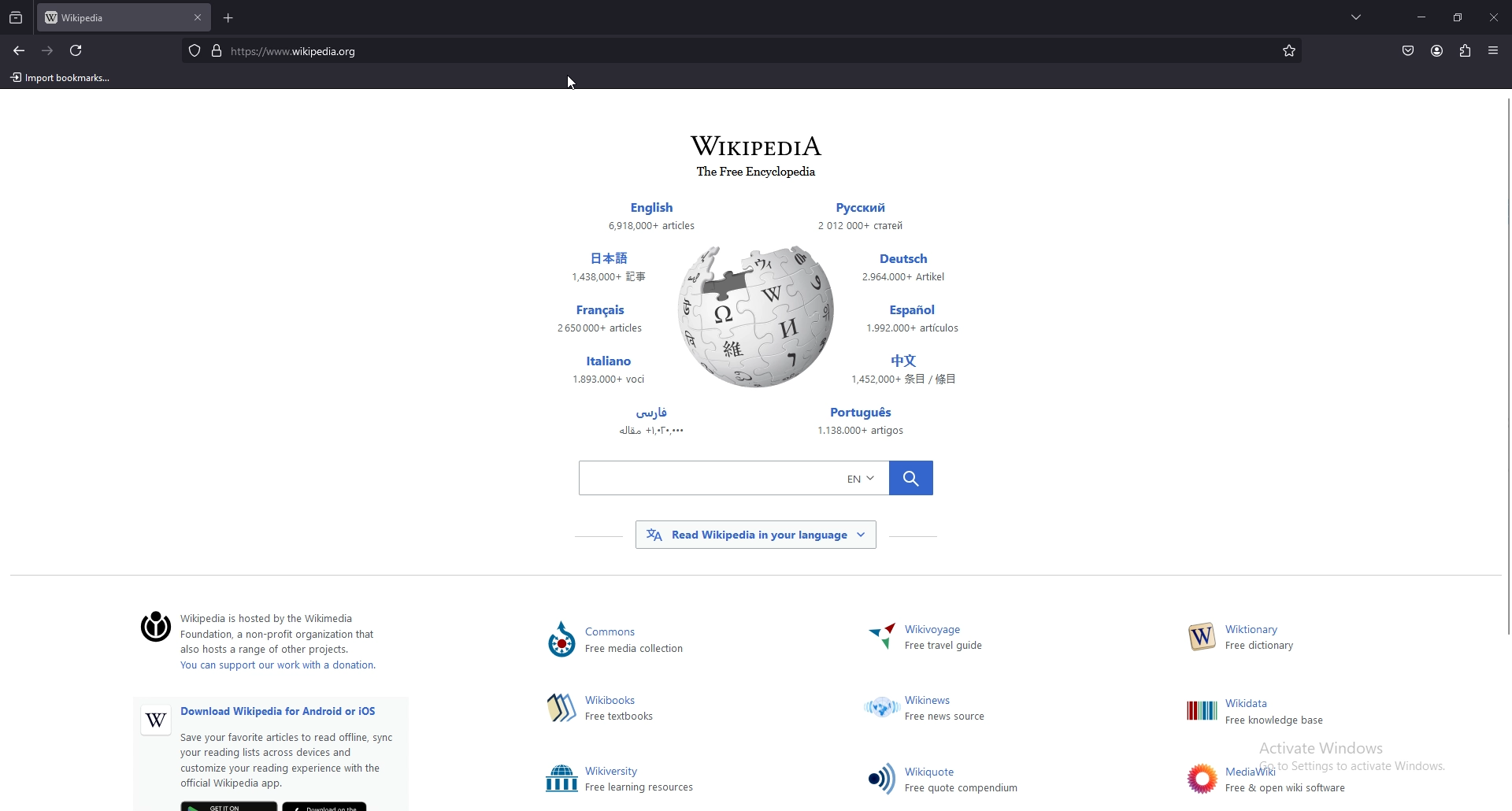 This screenshot has height=811, width=1512. Describe the element at coordinates (1407, 50) in the screenshot. I see `save to pocket` at that location.